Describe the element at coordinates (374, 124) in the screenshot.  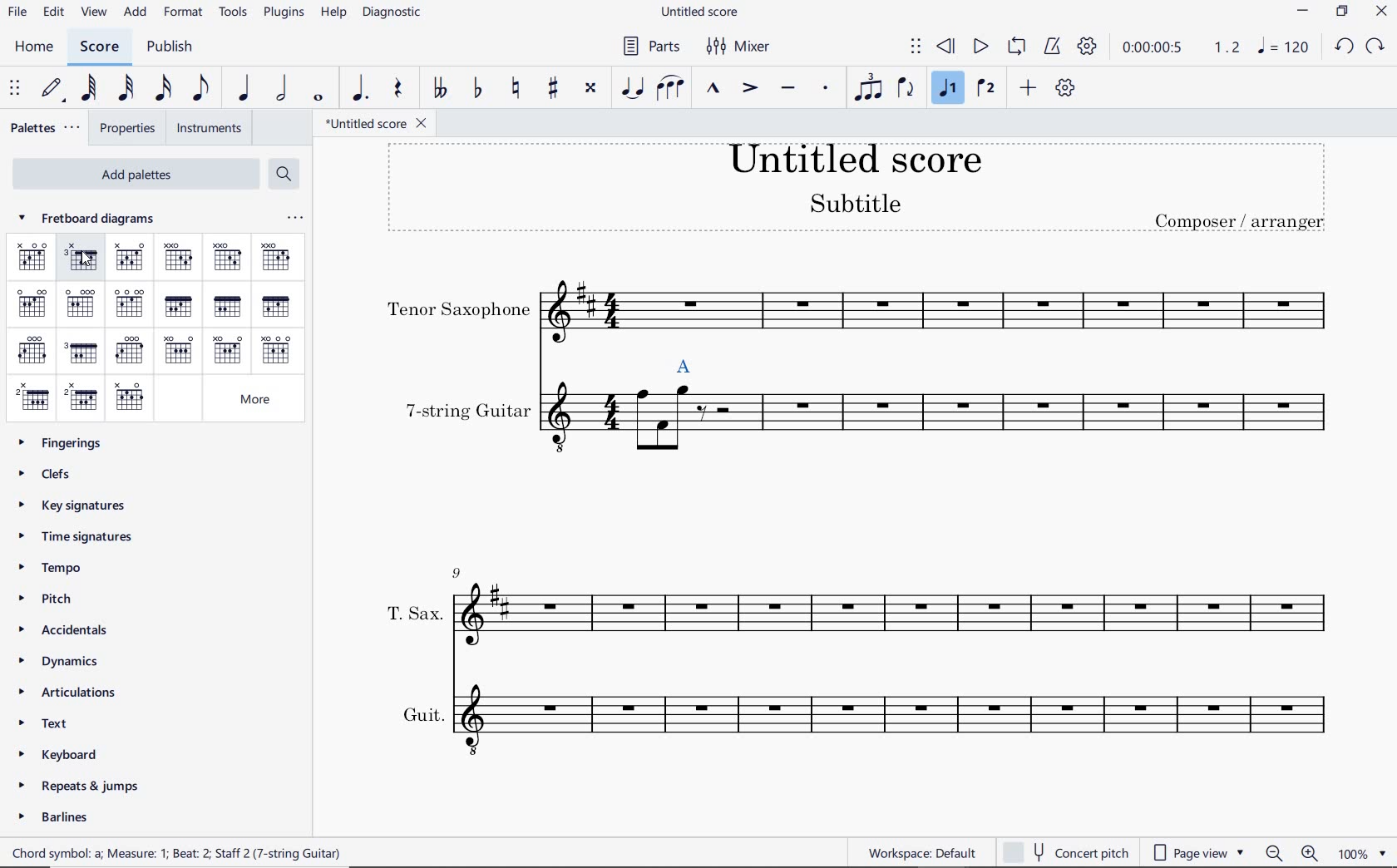
I see `FILE NAME` at that location.